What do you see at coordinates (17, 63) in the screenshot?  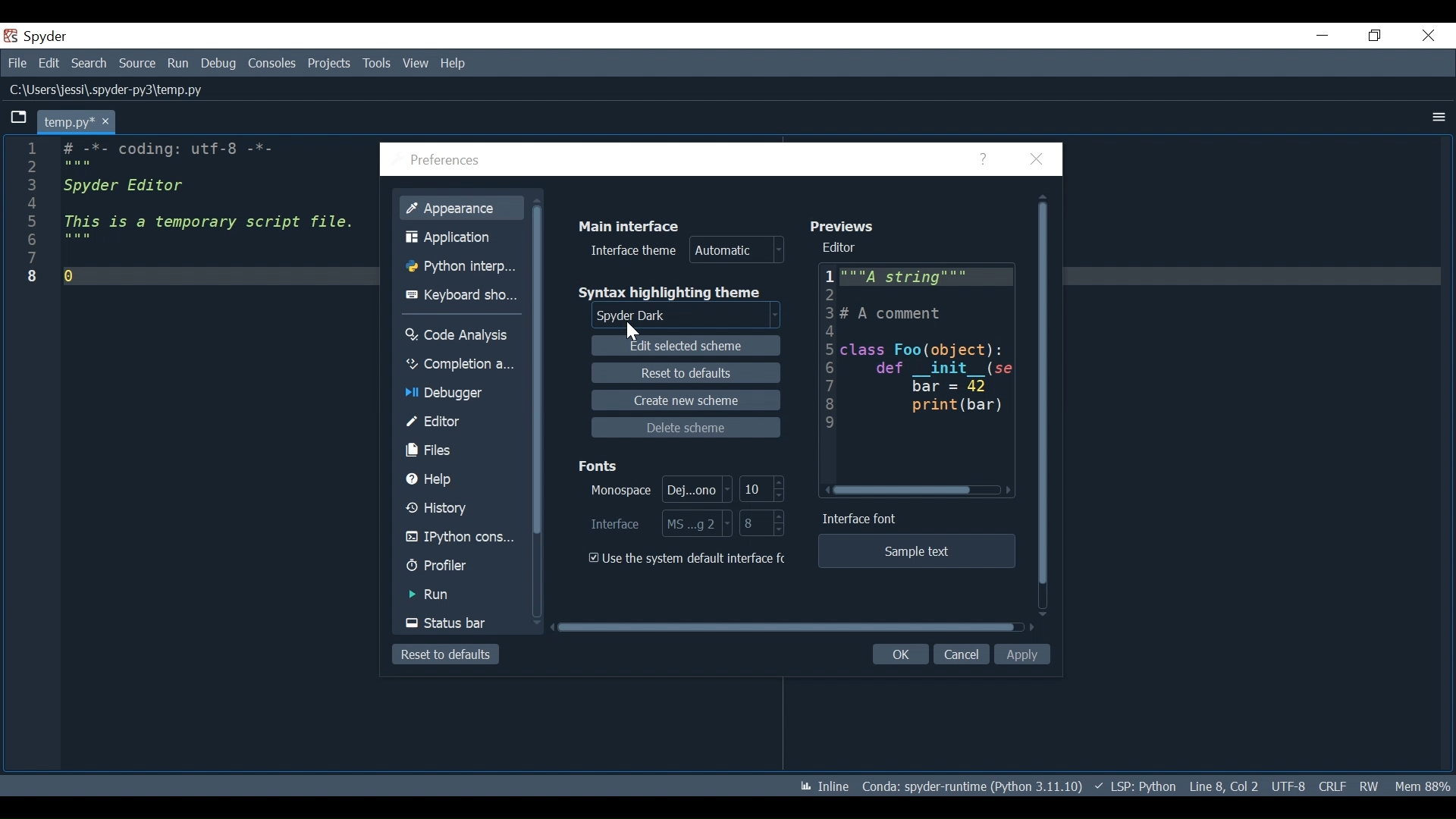 I see `File` at bounding box center [17, 63].